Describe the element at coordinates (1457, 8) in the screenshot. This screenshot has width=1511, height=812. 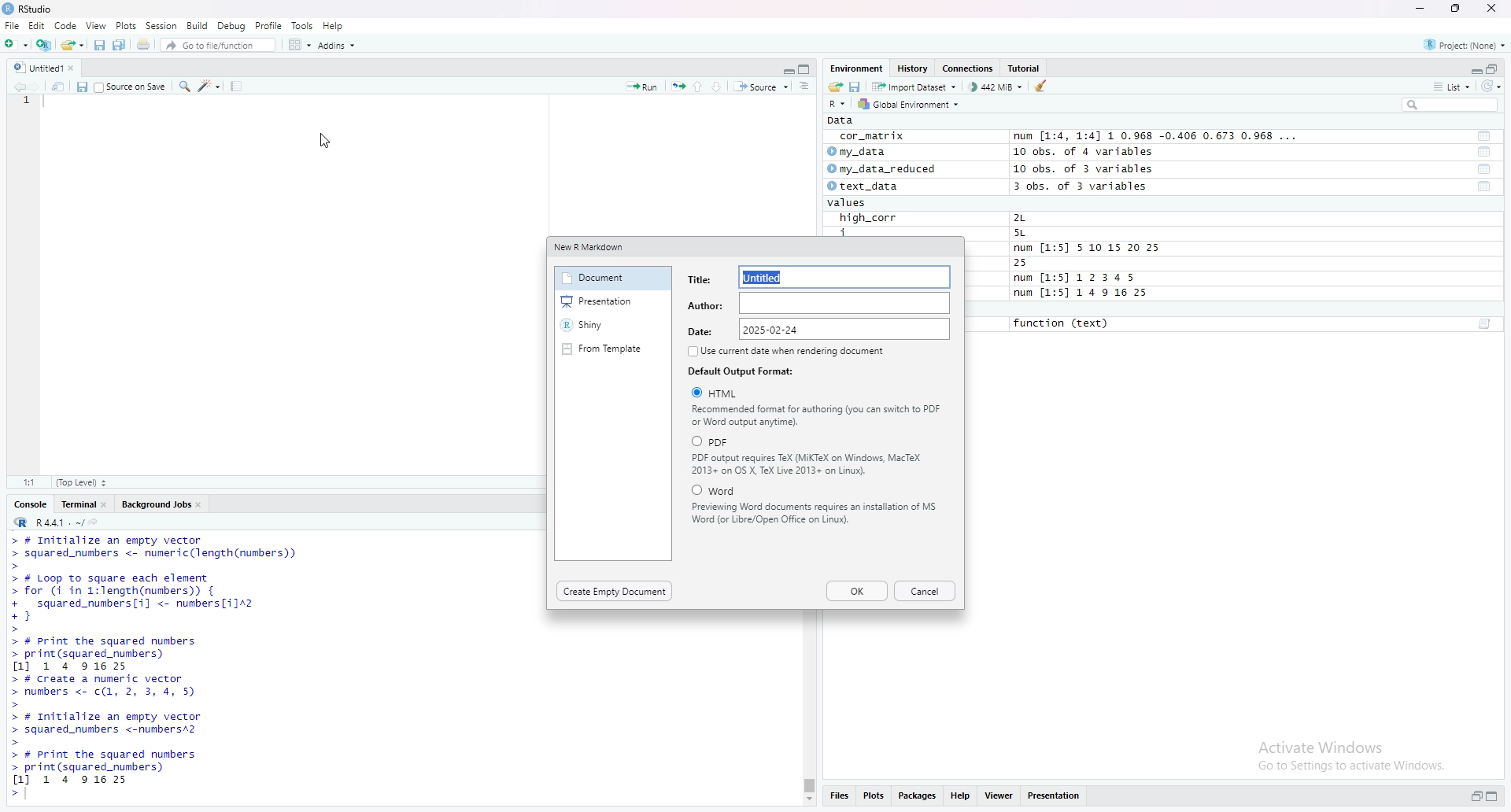
I see `Maximize` at that location.